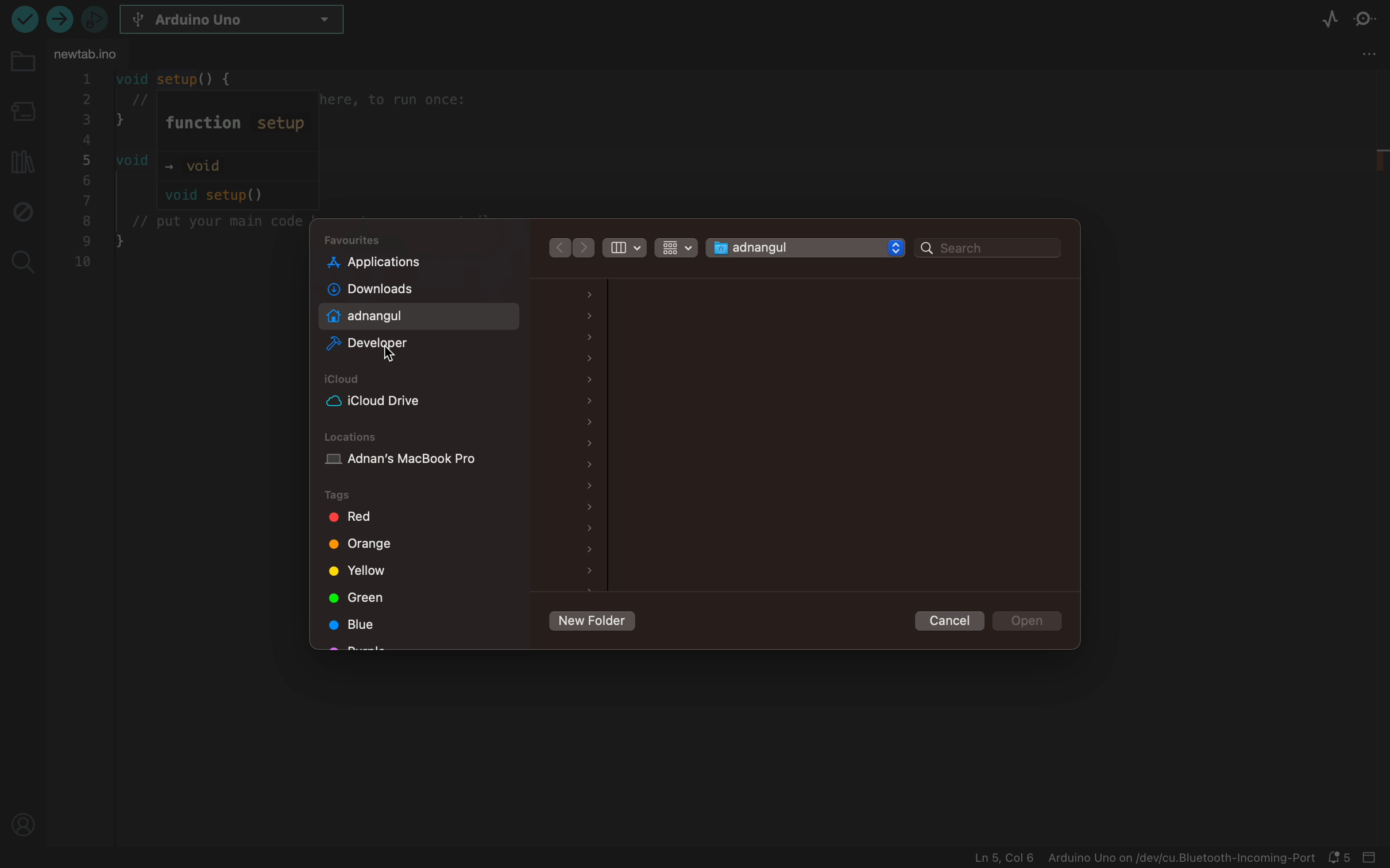  What do you see at coordinates (353, 495) in the screenshot?
I see `tags` at bounding box center [353, 495].